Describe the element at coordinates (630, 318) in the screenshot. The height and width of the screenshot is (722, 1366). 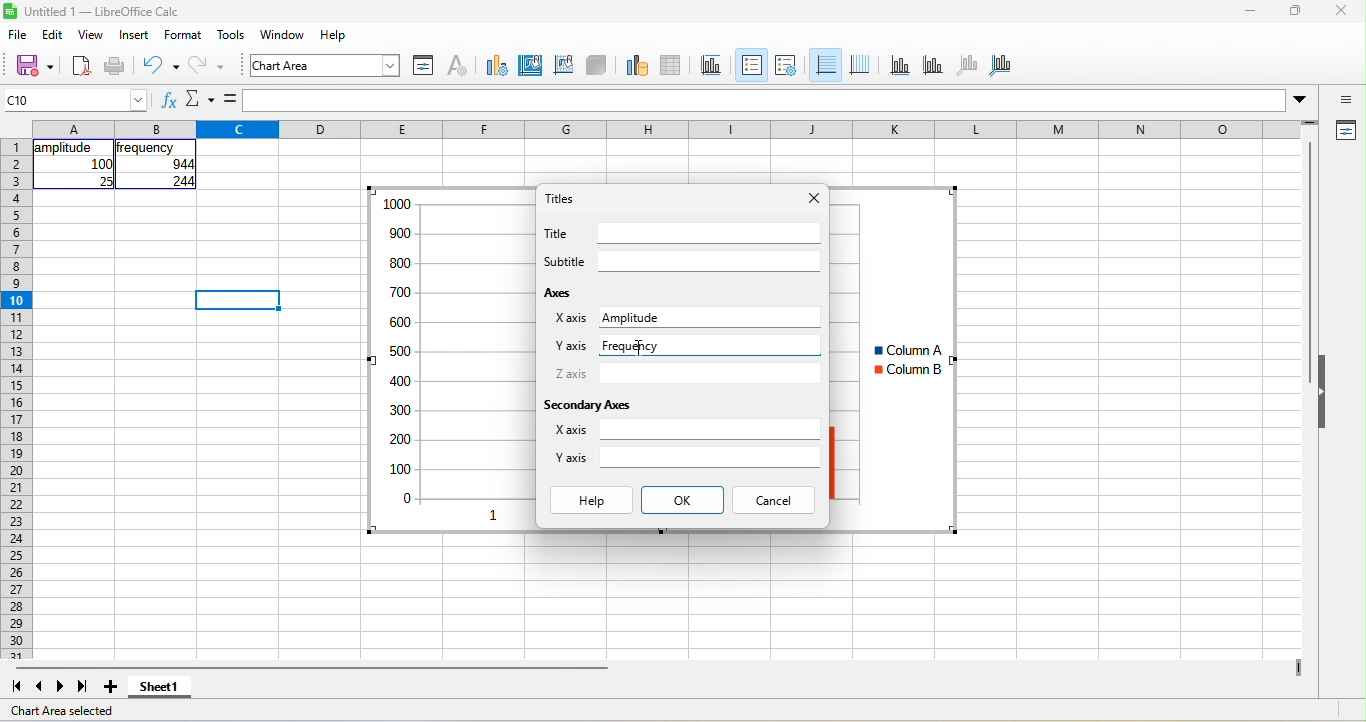
I see `Amplitude` at that location.